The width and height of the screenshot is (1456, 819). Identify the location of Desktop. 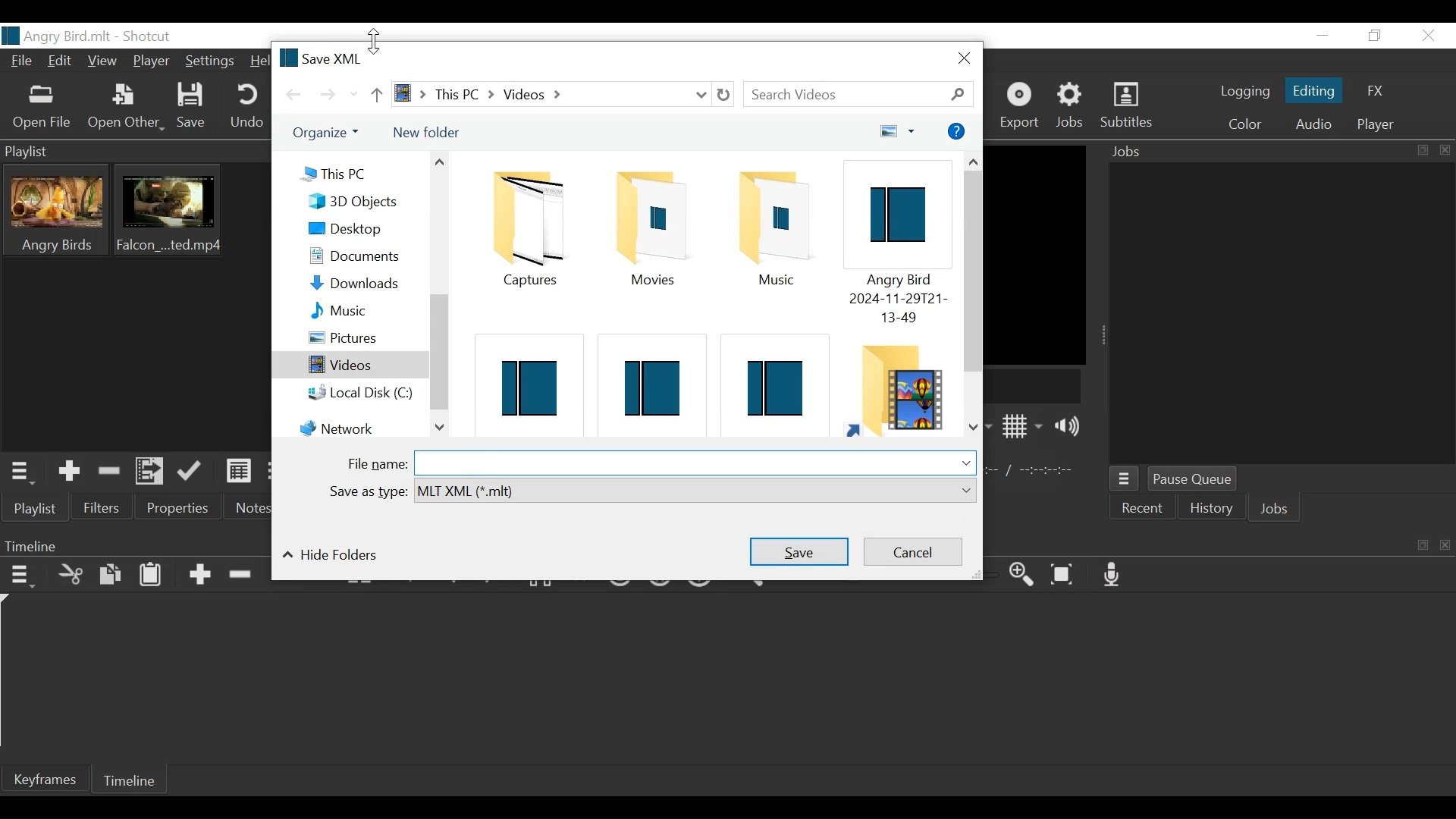
(362, 228).